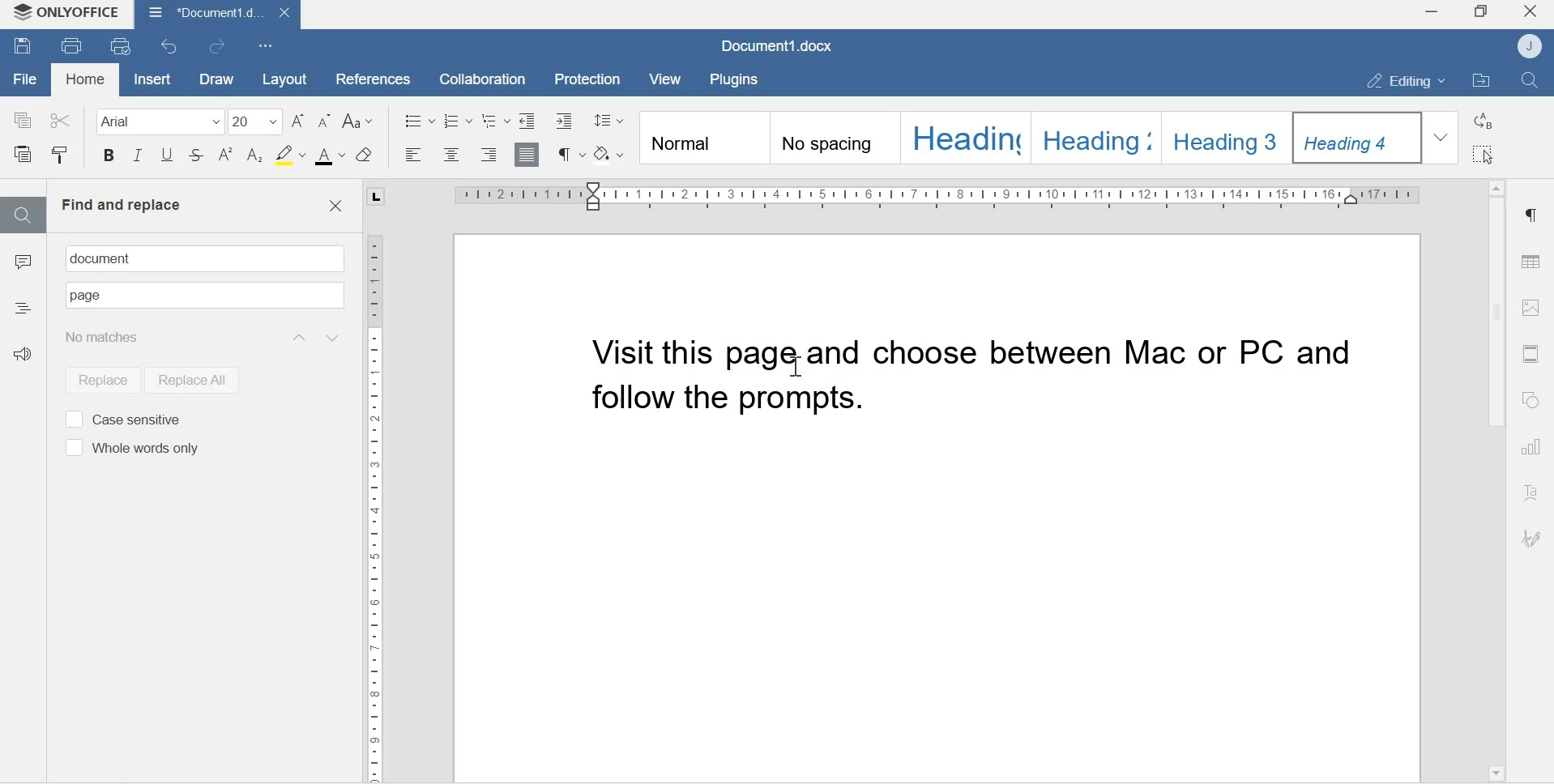  What do you see at coordinates (214, 79) in the screenshot?
I see `Draw` at bounding box center [214, 79].